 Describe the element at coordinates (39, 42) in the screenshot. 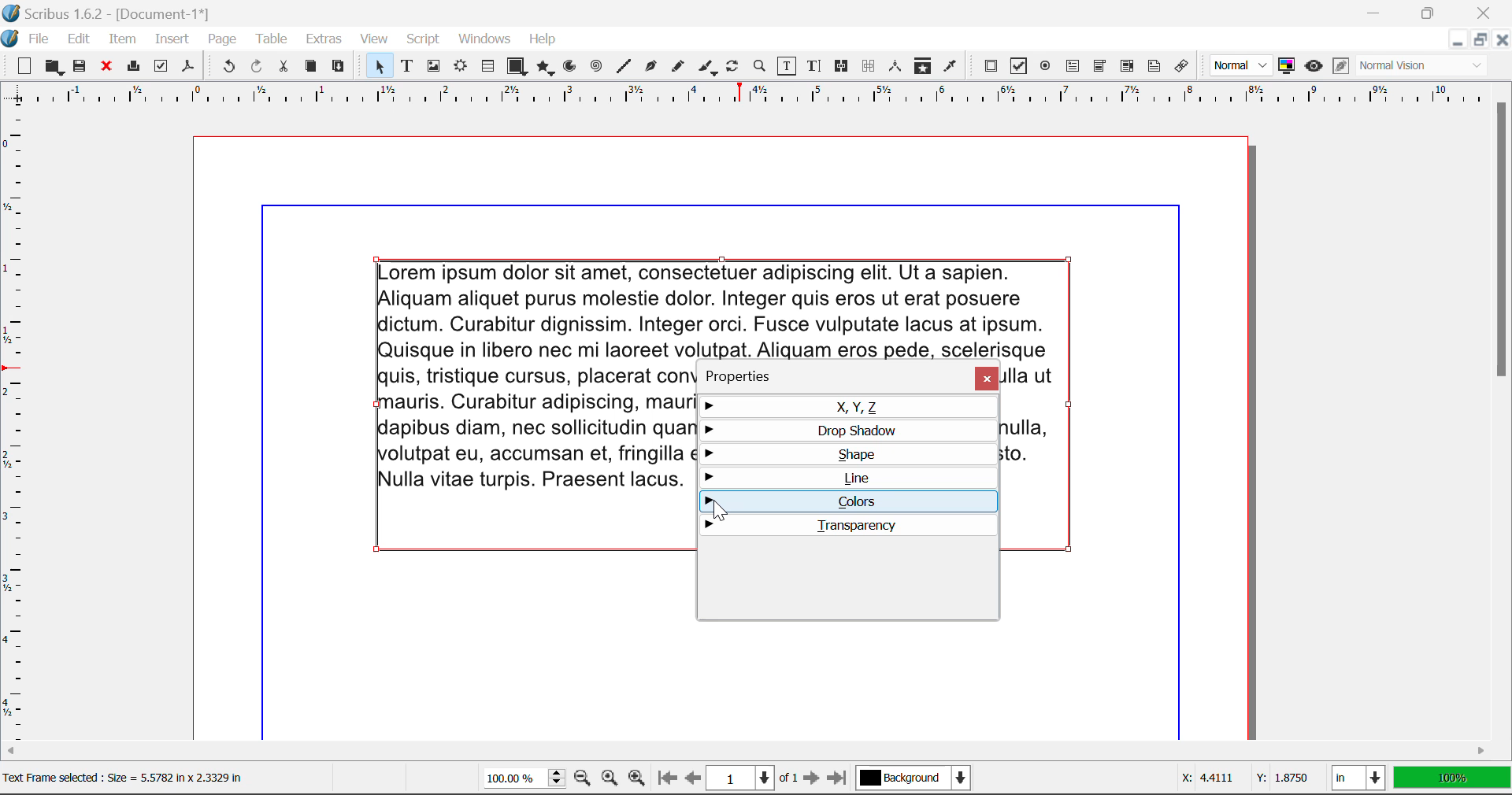

I see `File` at that location.